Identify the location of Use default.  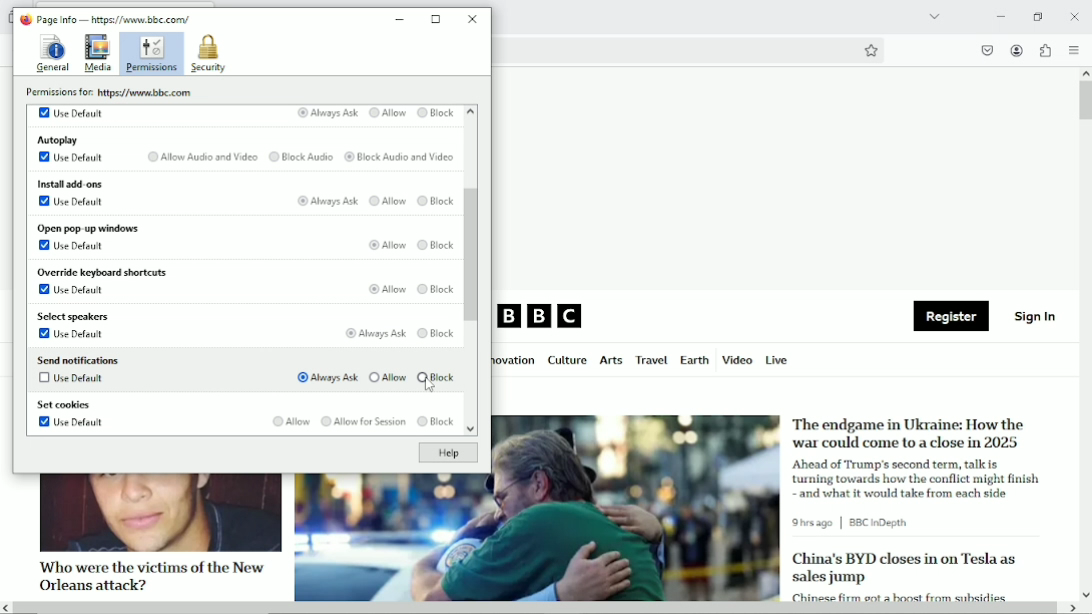
(71, 245).